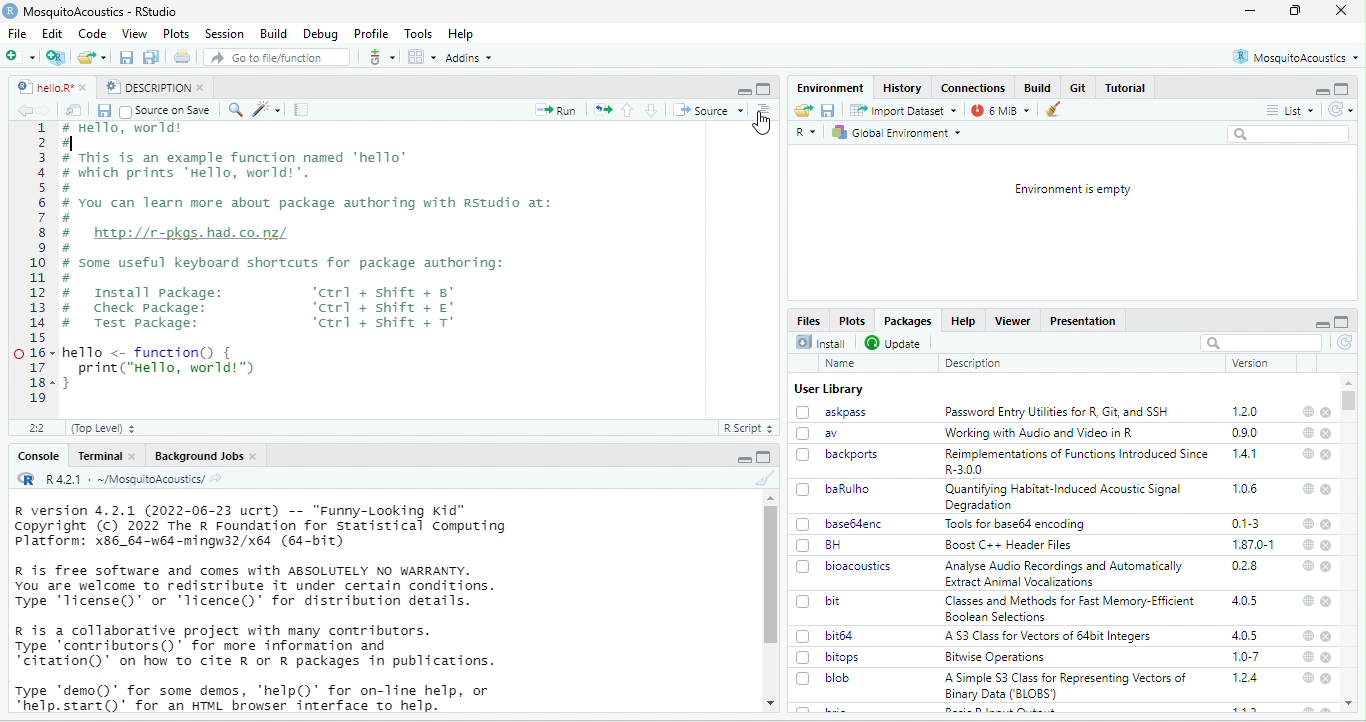 The image size is (1366, 722). Describe the element at coordinates (1296, 57) in the screenshot. I see `MosquitoAcoustics` at that location.